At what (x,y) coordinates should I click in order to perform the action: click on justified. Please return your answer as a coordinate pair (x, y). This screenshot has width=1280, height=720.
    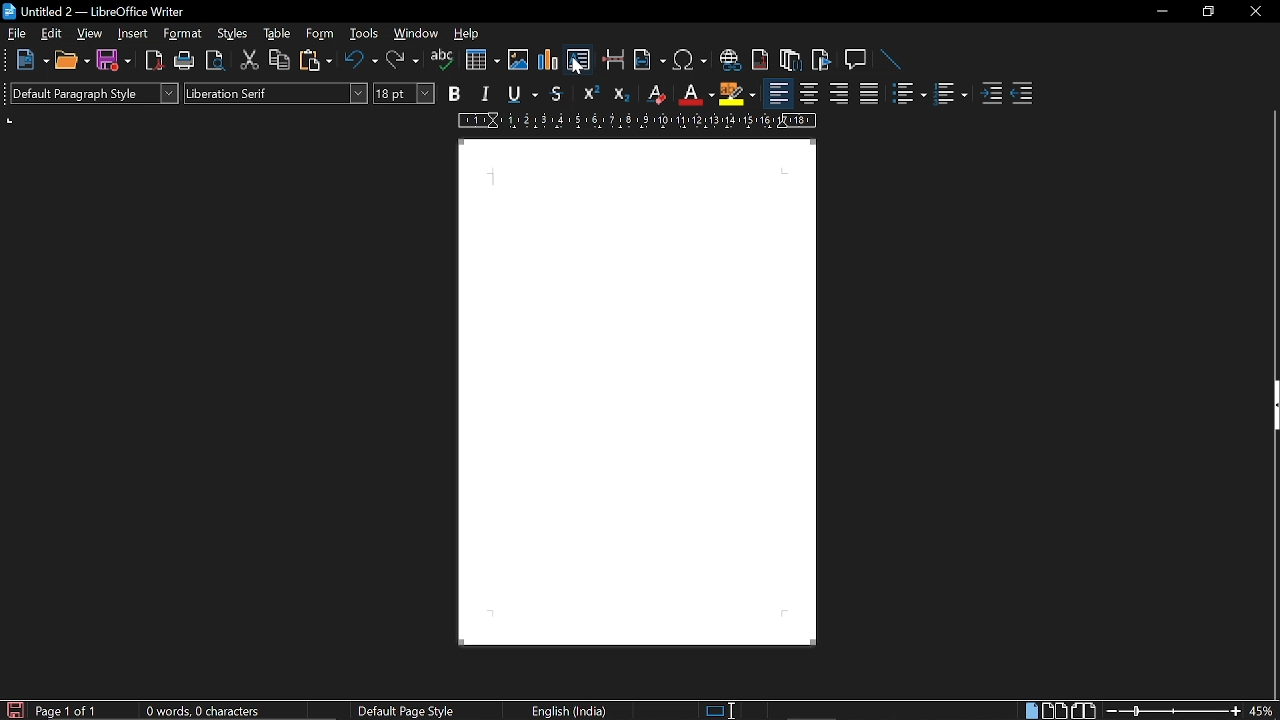
    Looking at the image, I should click on (869, 96).